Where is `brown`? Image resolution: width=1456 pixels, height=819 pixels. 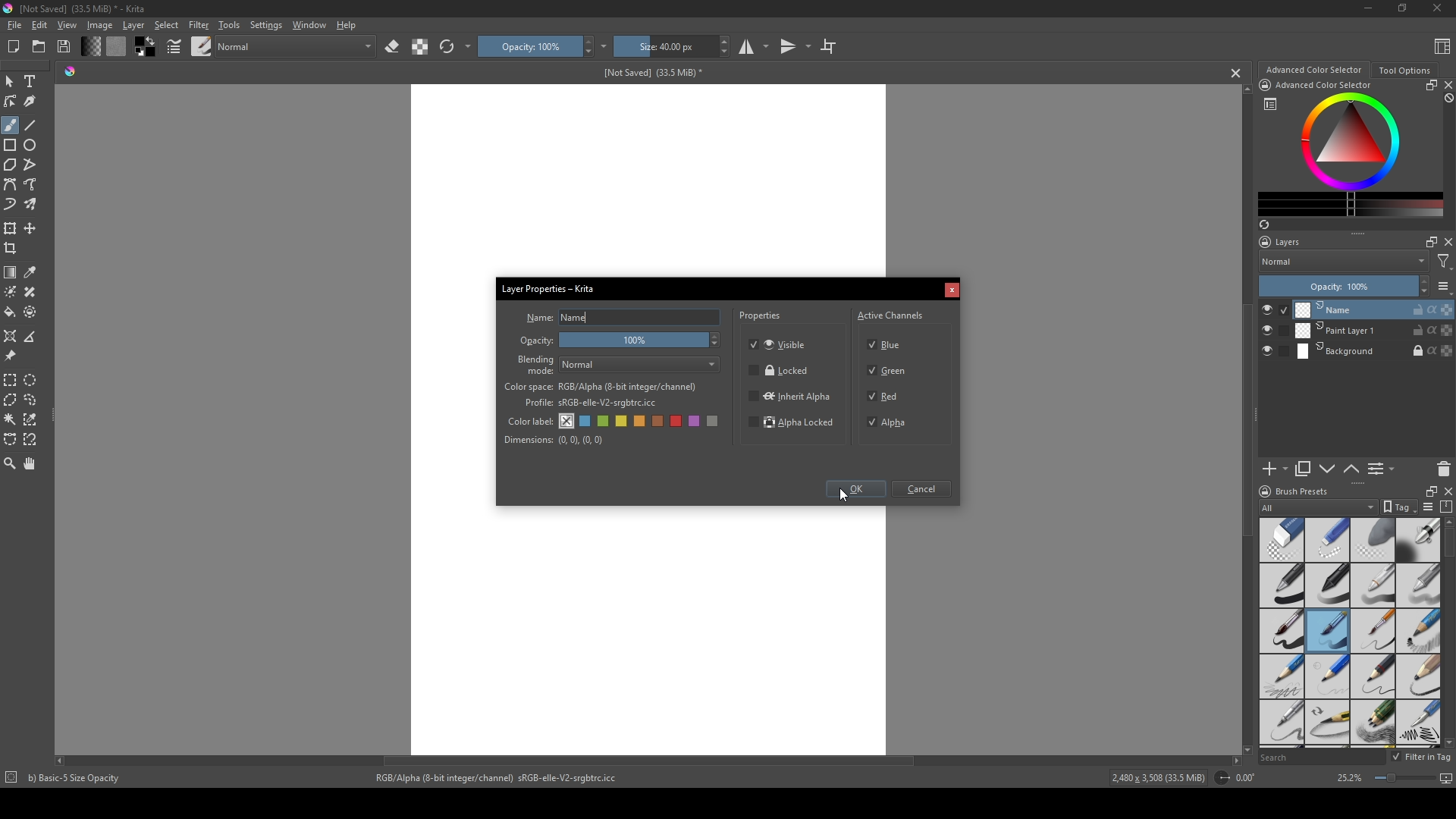
brown is located at coordinates (660, 421).